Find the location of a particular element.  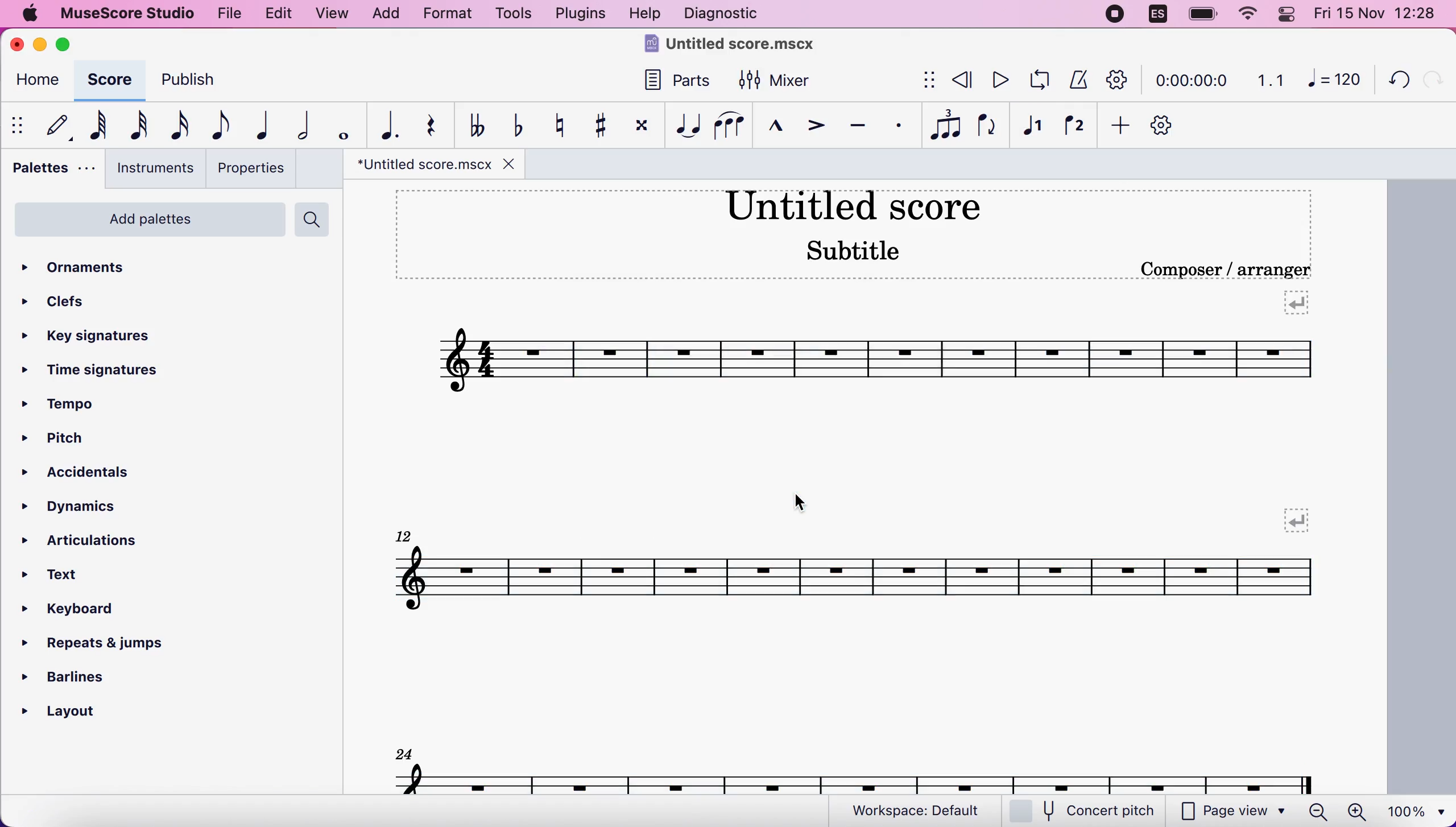

time is located at coordinates (1189, 82).